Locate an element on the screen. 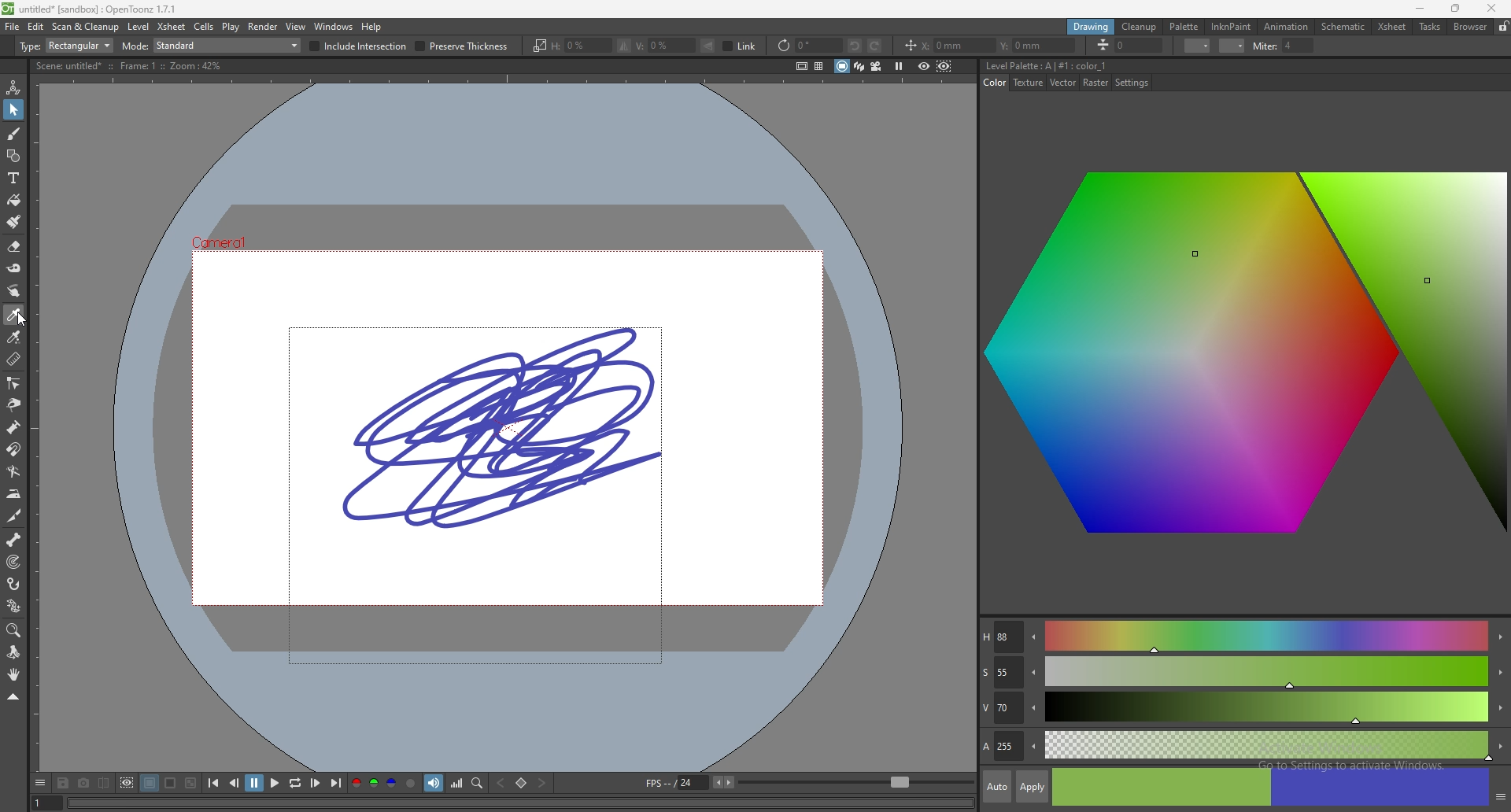 The width and height of the screenshot is (1511, 812). plastic tool is located at coordinates (14, 605).